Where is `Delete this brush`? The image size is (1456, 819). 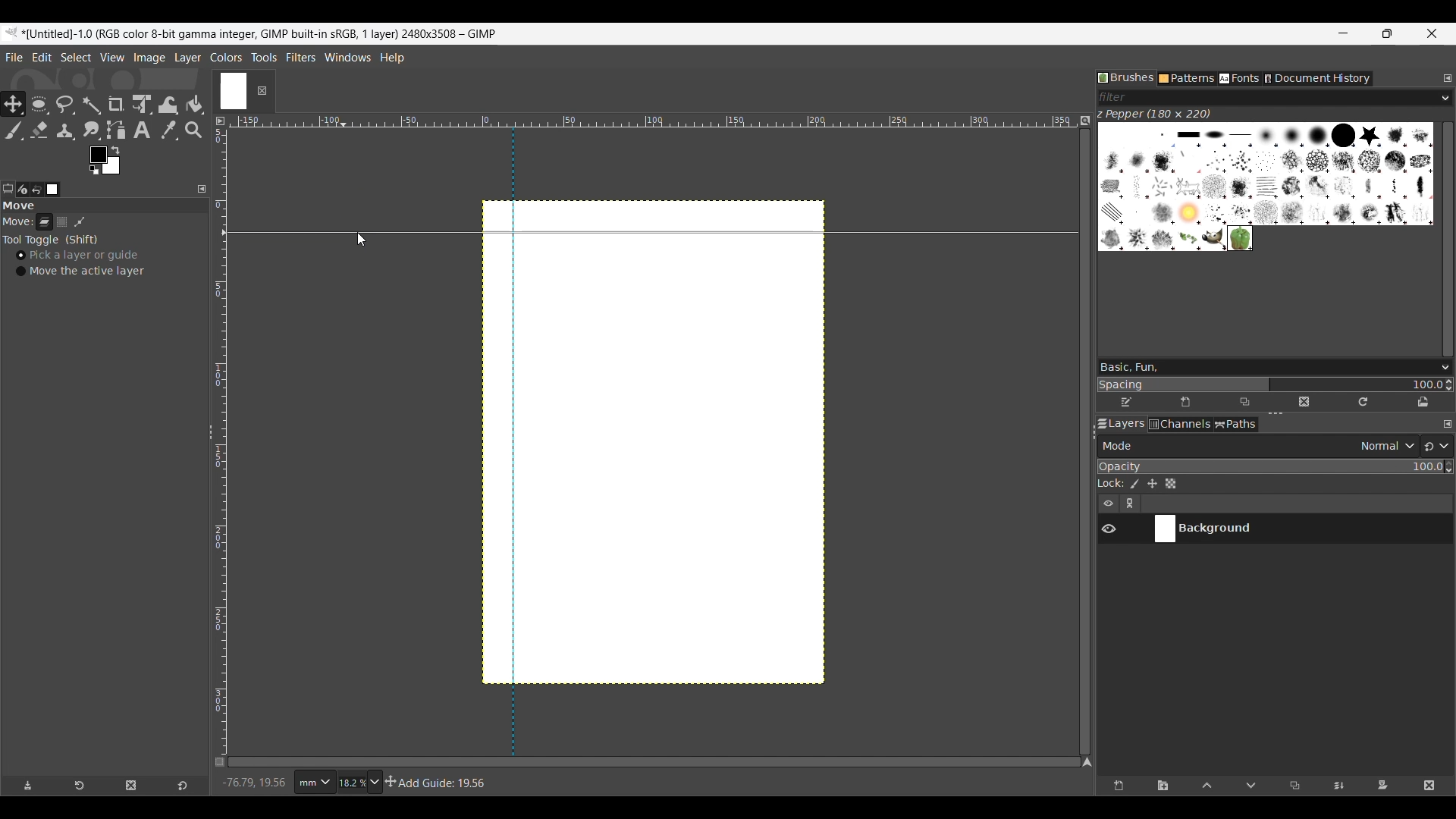
Delete this brush is located at coordinates (1304, 403).